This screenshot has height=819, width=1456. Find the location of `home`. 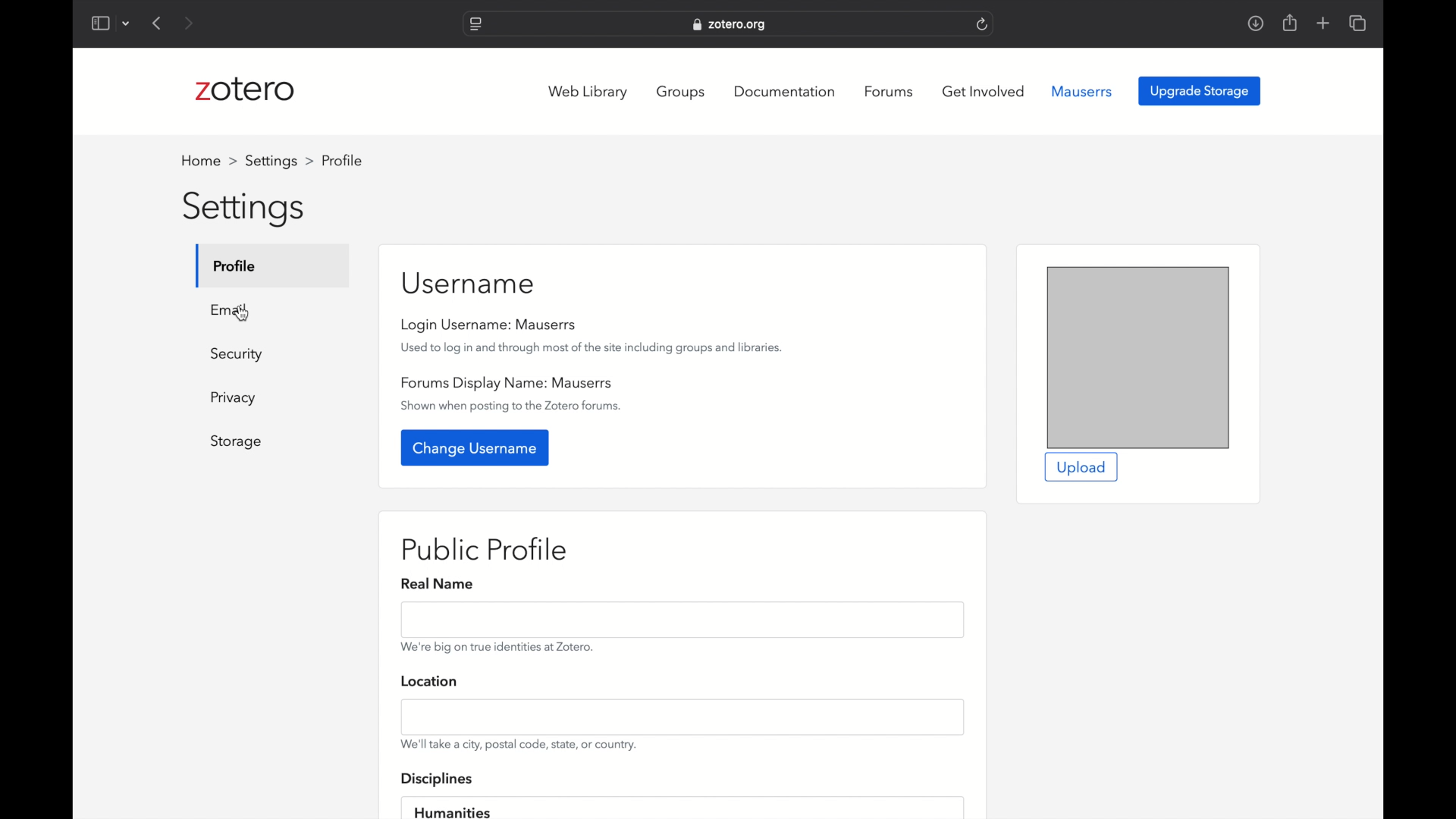

home is located at coordinates (209, 161).